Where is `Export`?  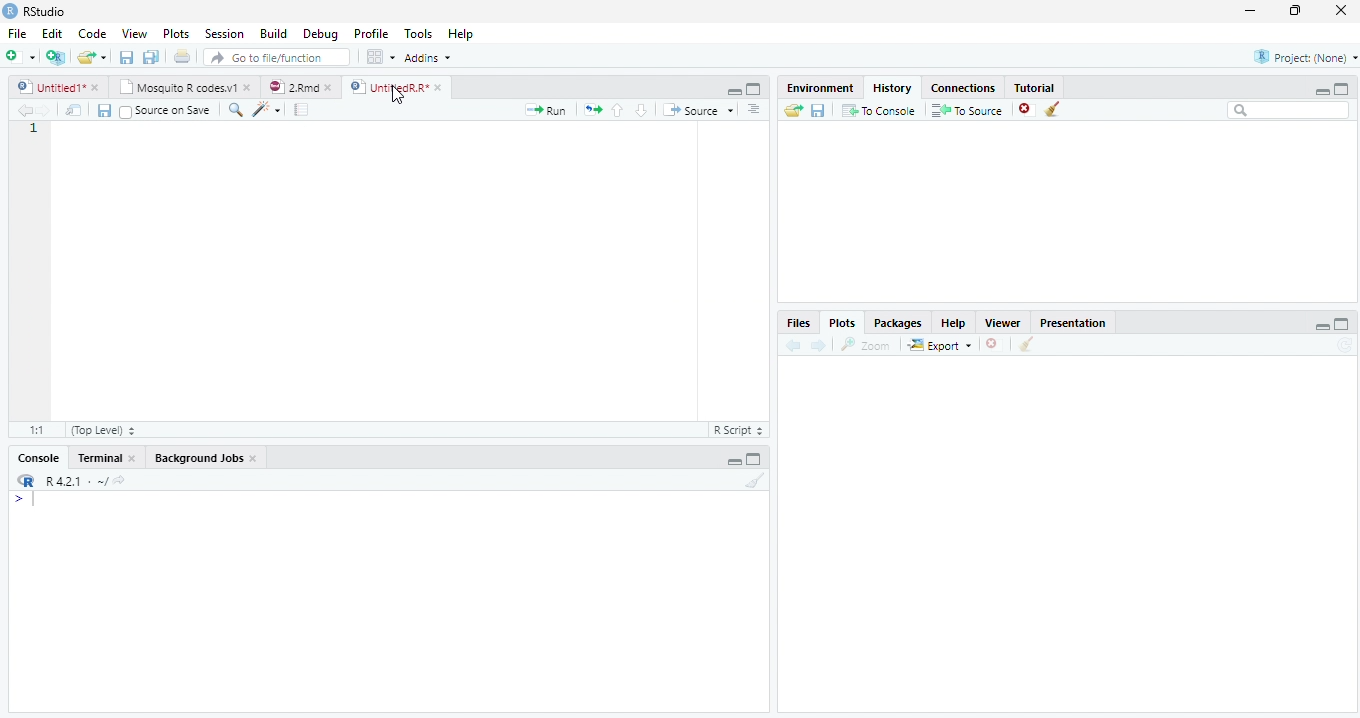
Export is located at coordinates (938, 345).